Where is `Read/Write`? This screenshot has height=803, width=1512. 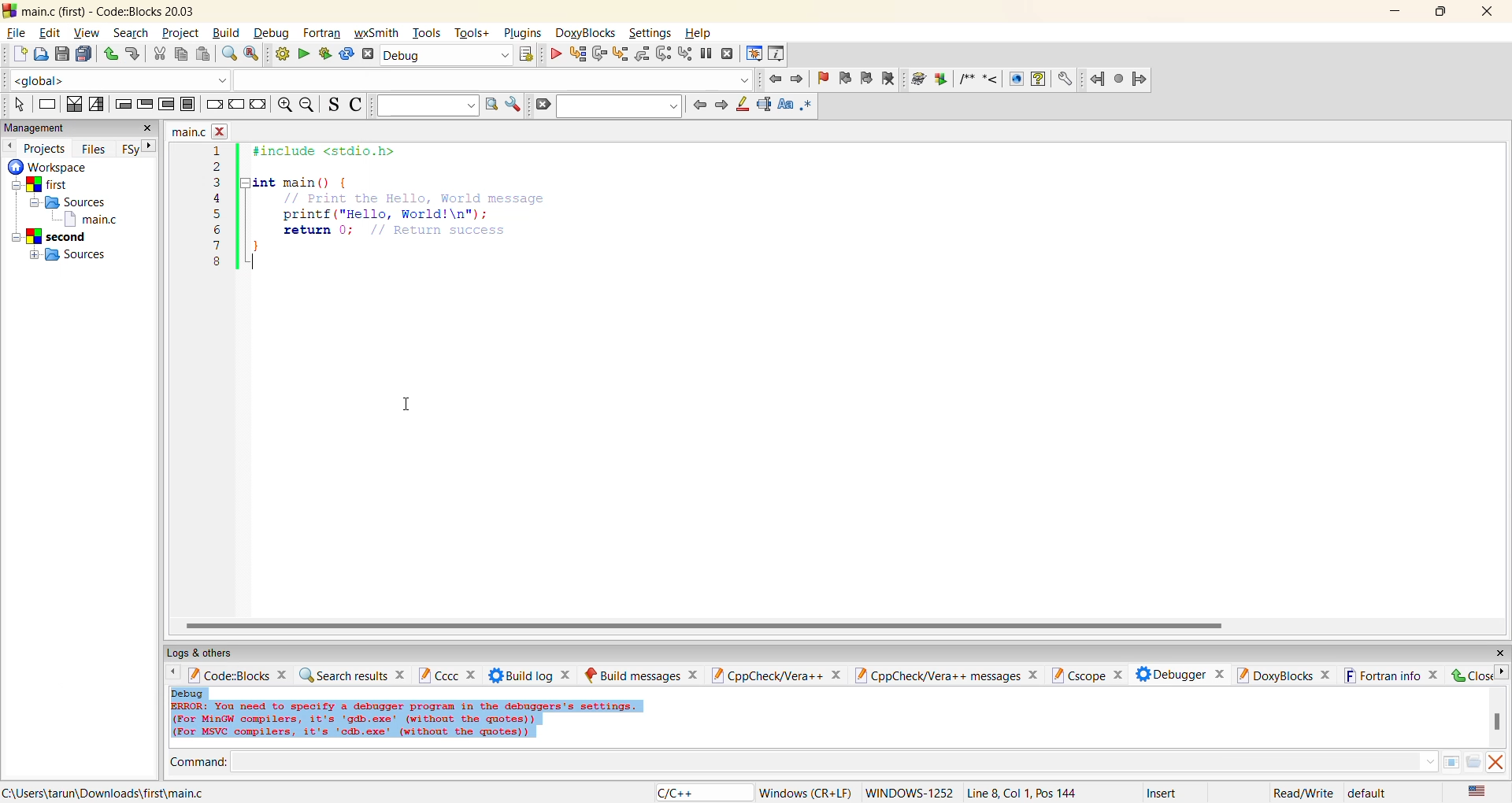
Read/Write is located at coordinates (1303, 794).